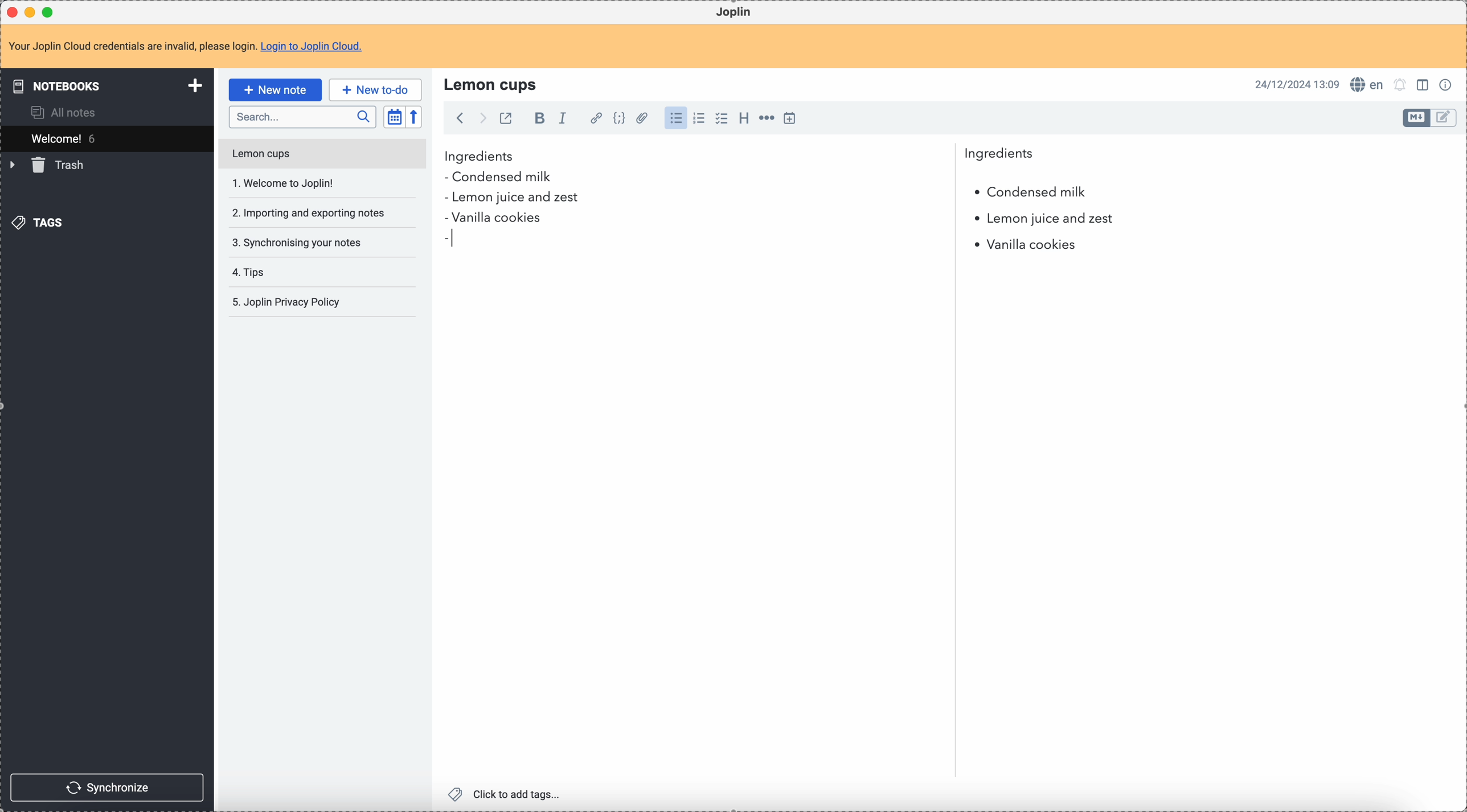 Image resolution: width=1467 pixels, height=812 pixels. What do you see at coordinates (394, 117) in the screenshot?
I see `toggle sort order field` at bounding box center [394, 117].